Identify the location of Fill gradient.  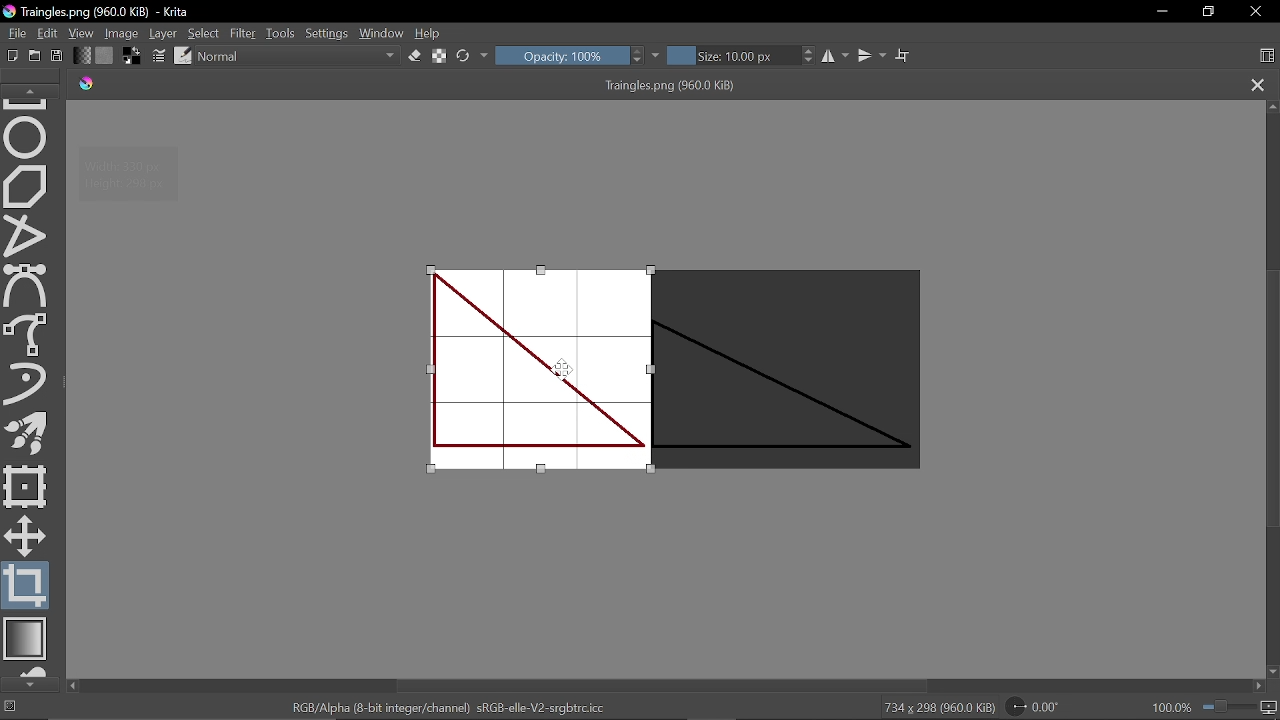
(82, 55).